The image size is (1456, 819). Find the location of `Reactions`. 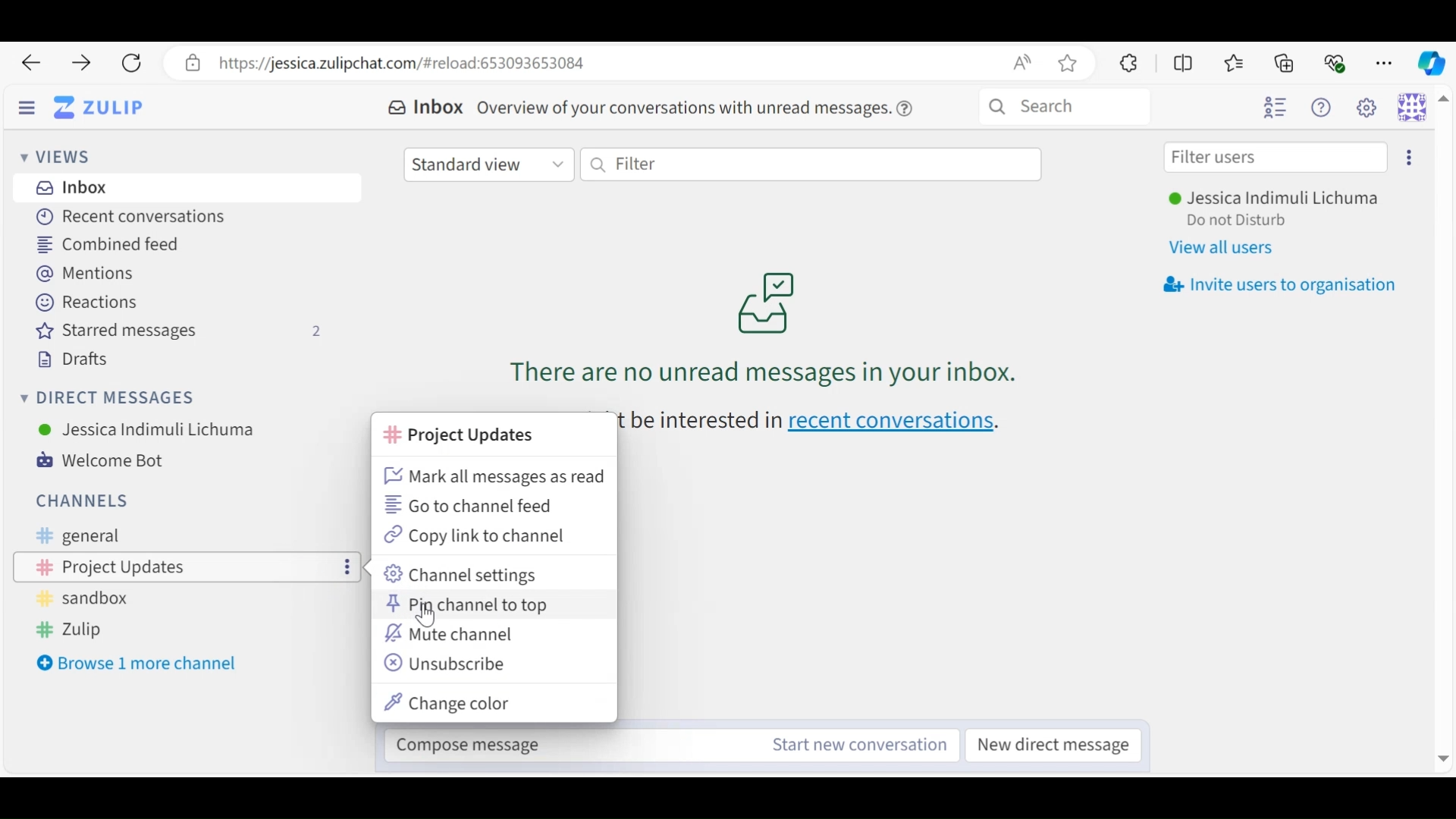

Reactions is located at coordinates (83, 302).